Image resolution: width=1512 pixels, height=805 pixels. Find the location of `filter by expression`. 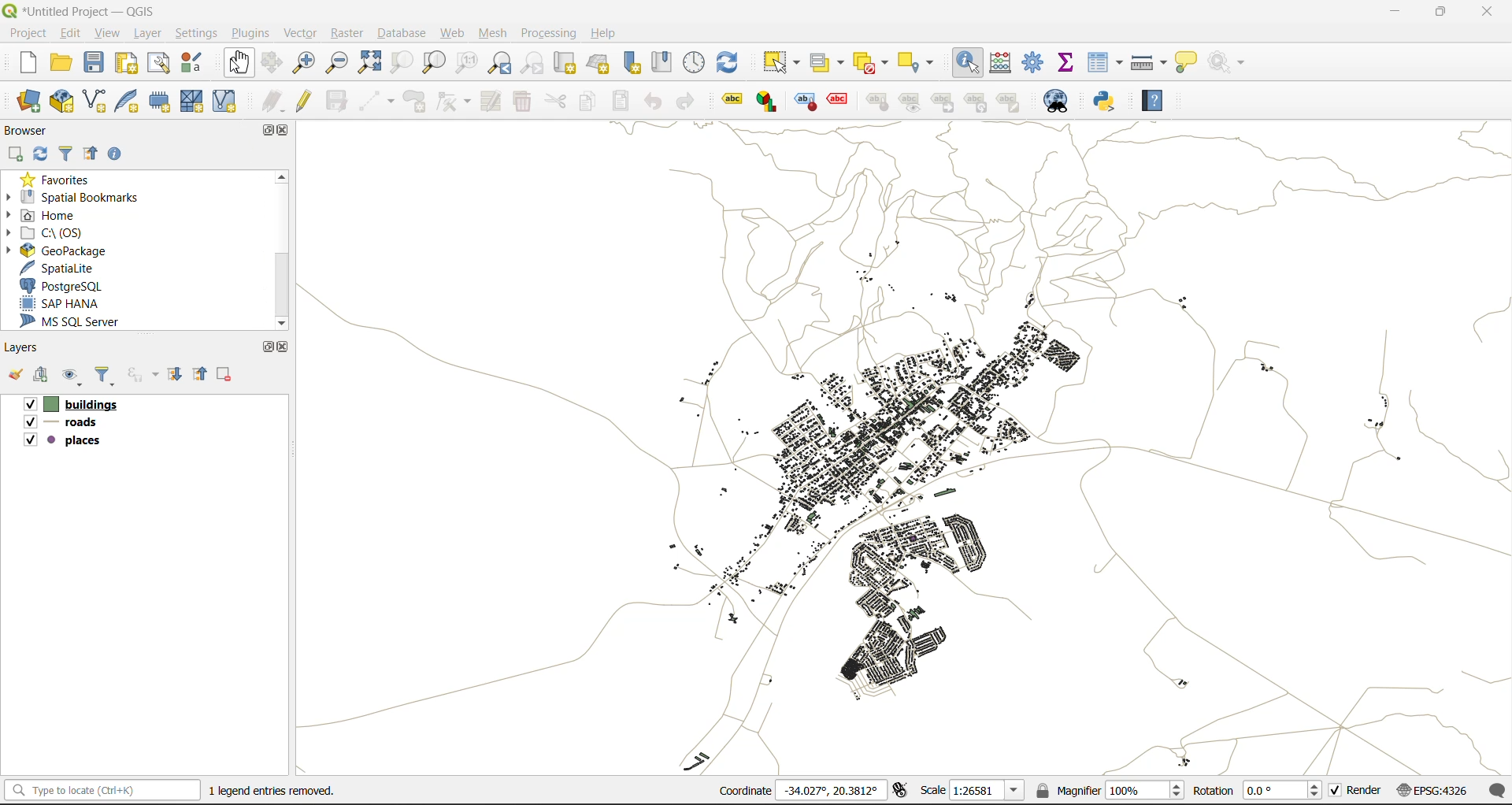

filter by expression is located at coordinates (144, 376).